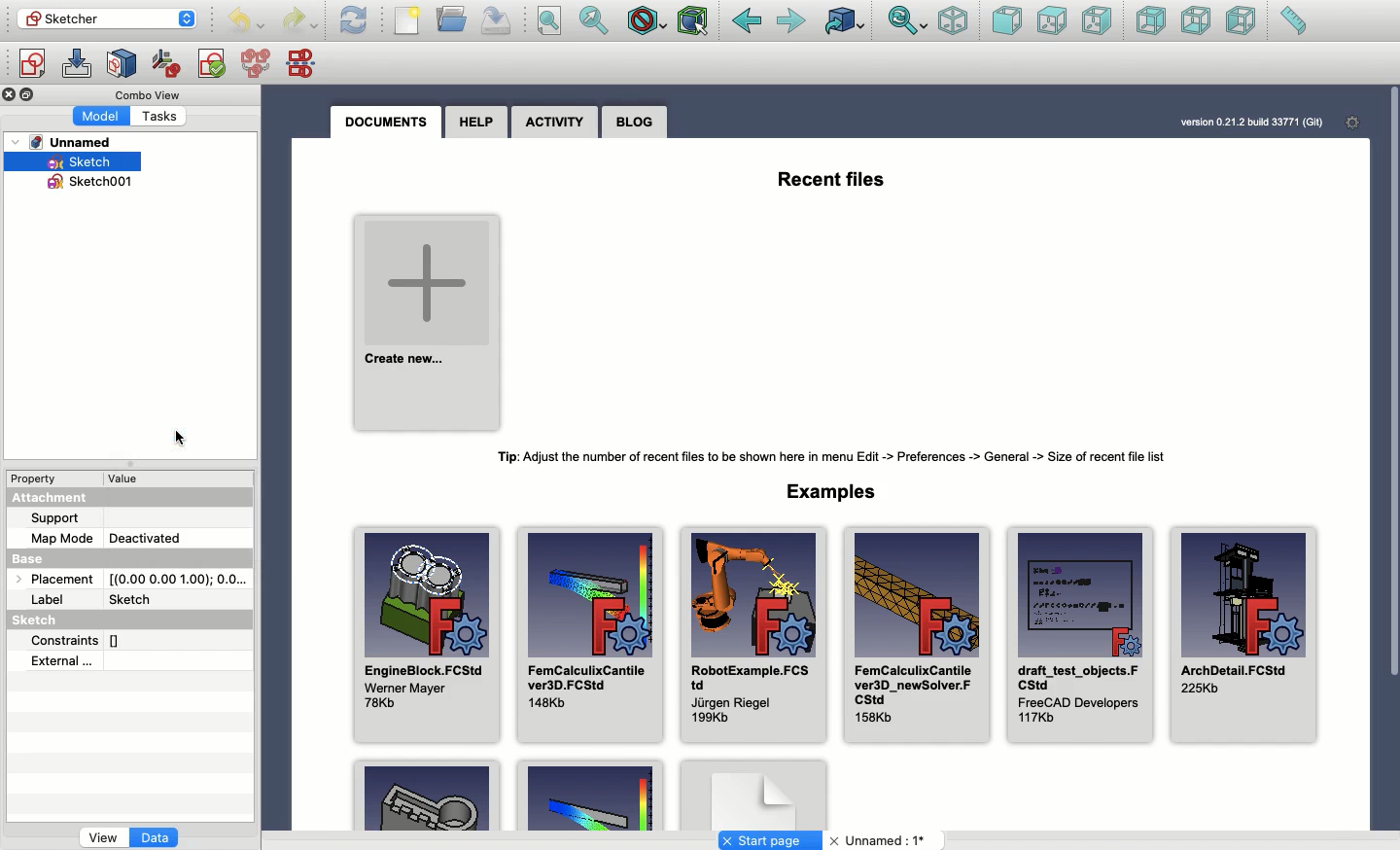 This screenshot has width=1400, height=850. What do you see at coordinates (184, 437) in the screenshot?
I see `Pointer` at bounding box center [184, 437].